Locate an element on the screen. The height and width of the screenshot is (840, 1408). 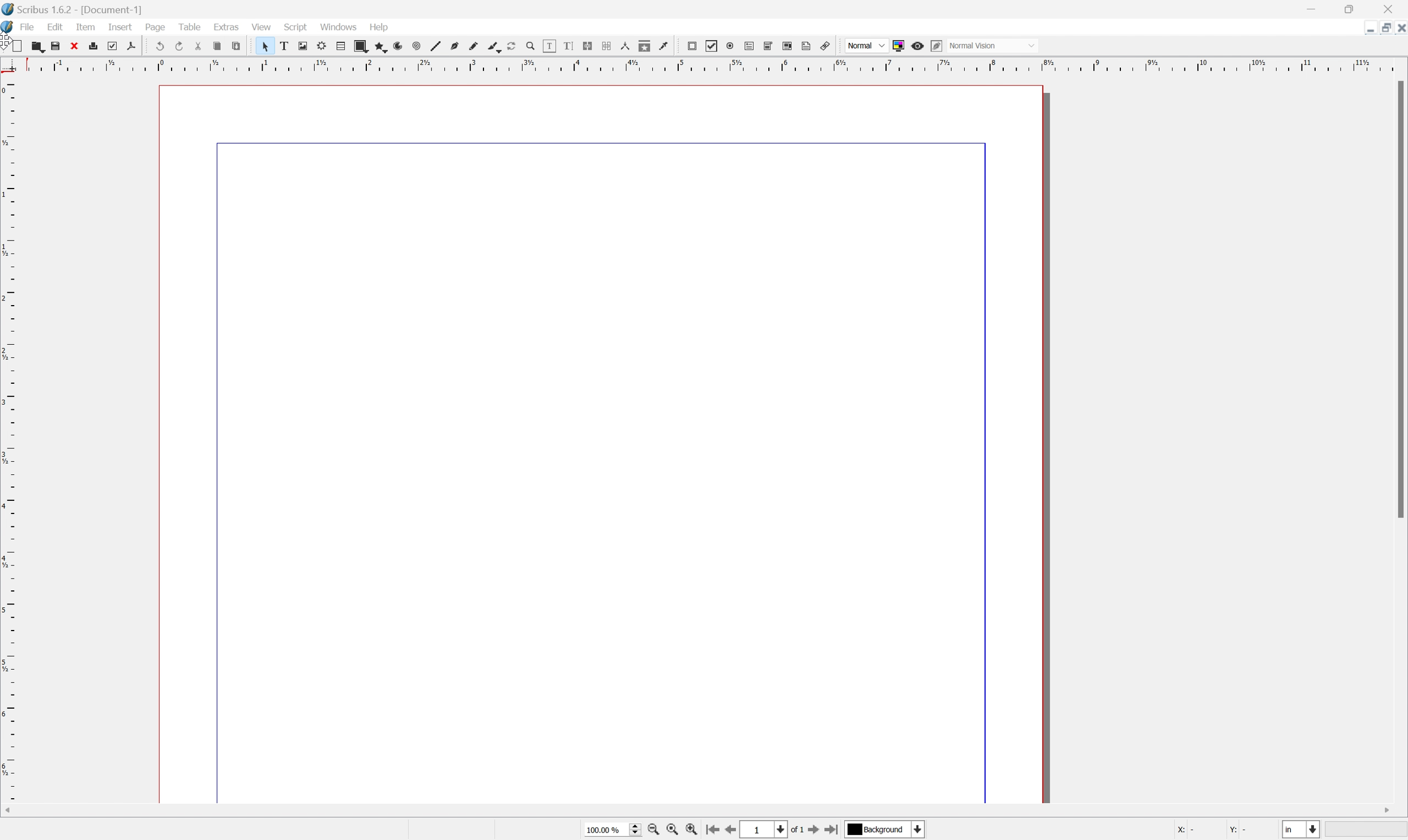
edit text with story editor is located at coordinates (568, 46).